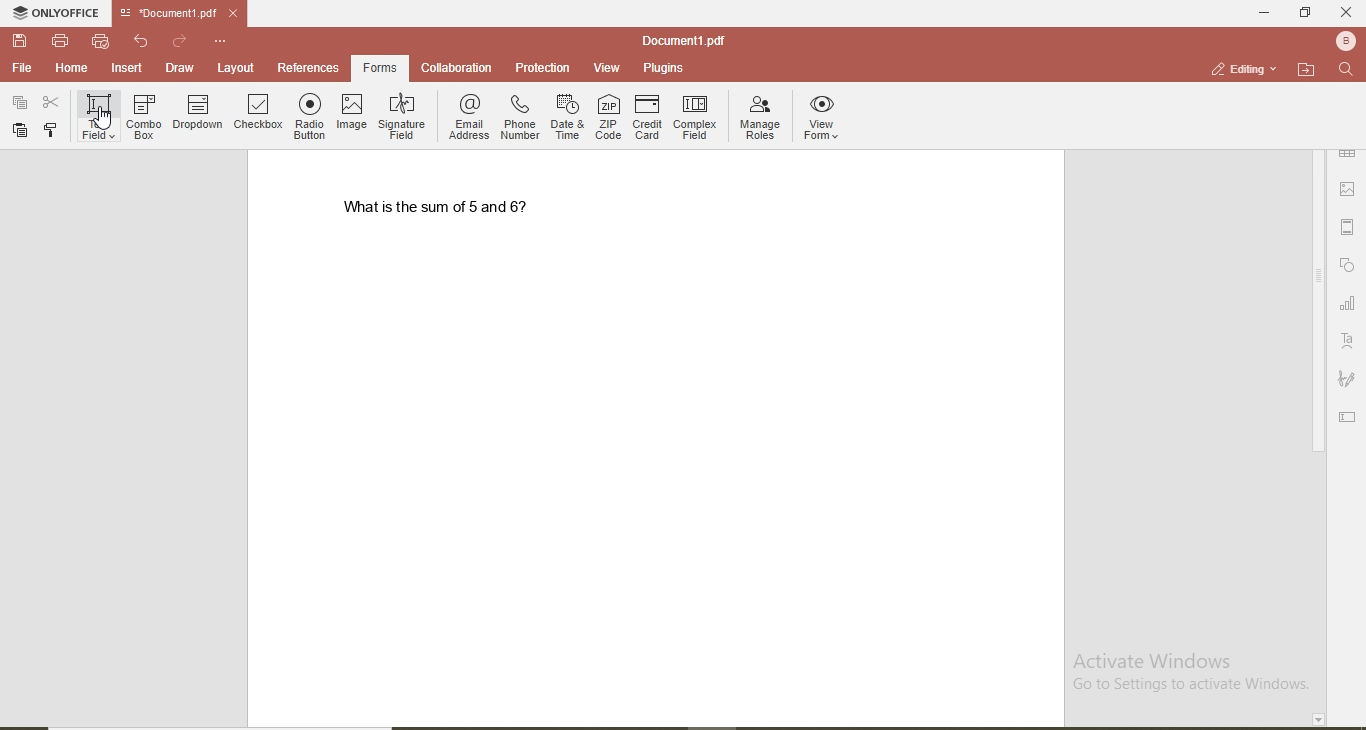 The height and width of the screenshot is (730, 1366). What do you see at coordinates (1319, 305) in the screenshot?
I see `scroll bar` at bounding box center [1319, 305].